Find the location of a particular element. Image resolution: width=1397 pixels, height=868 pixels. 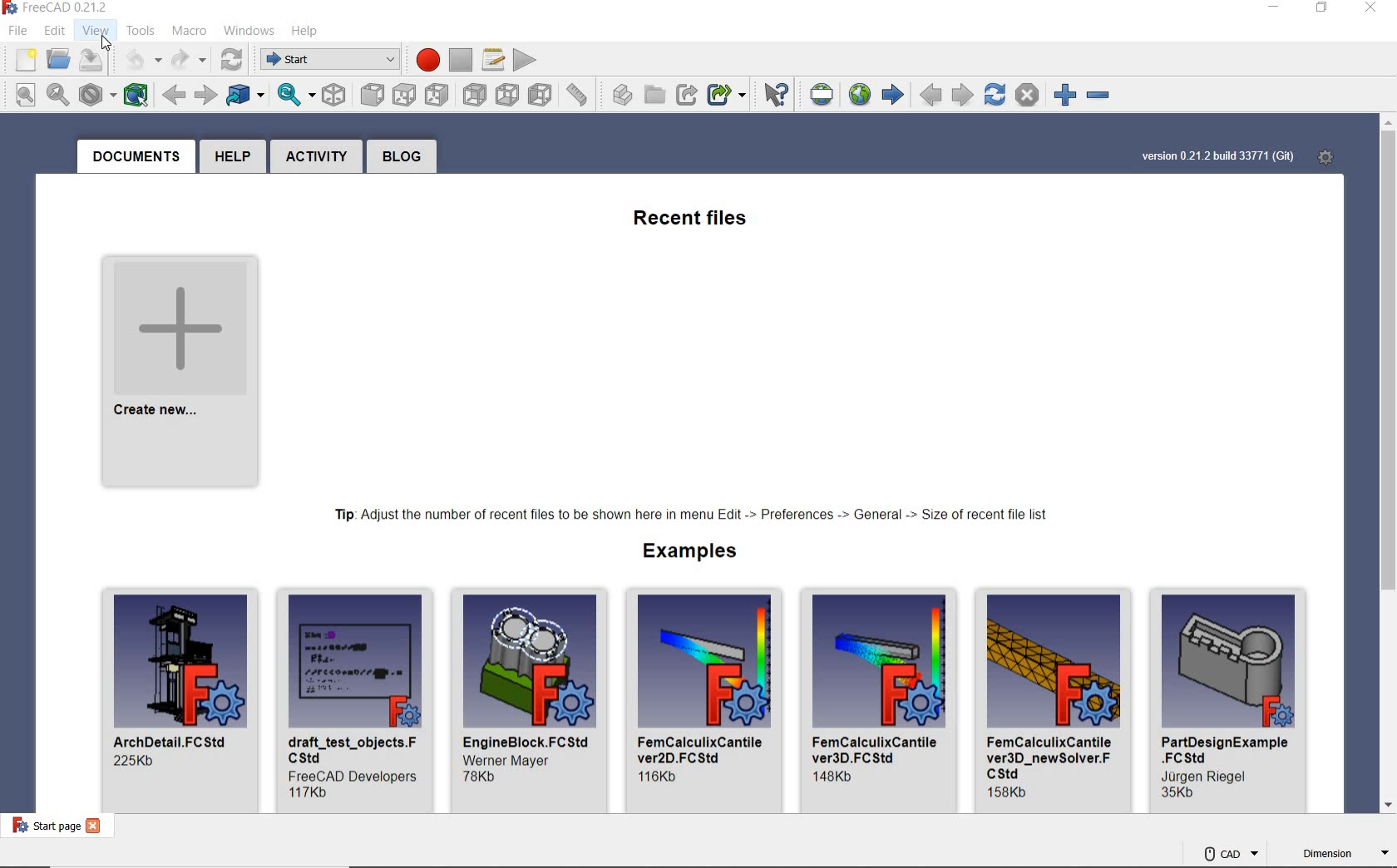

execute macro is located at coordinates (525, 61).